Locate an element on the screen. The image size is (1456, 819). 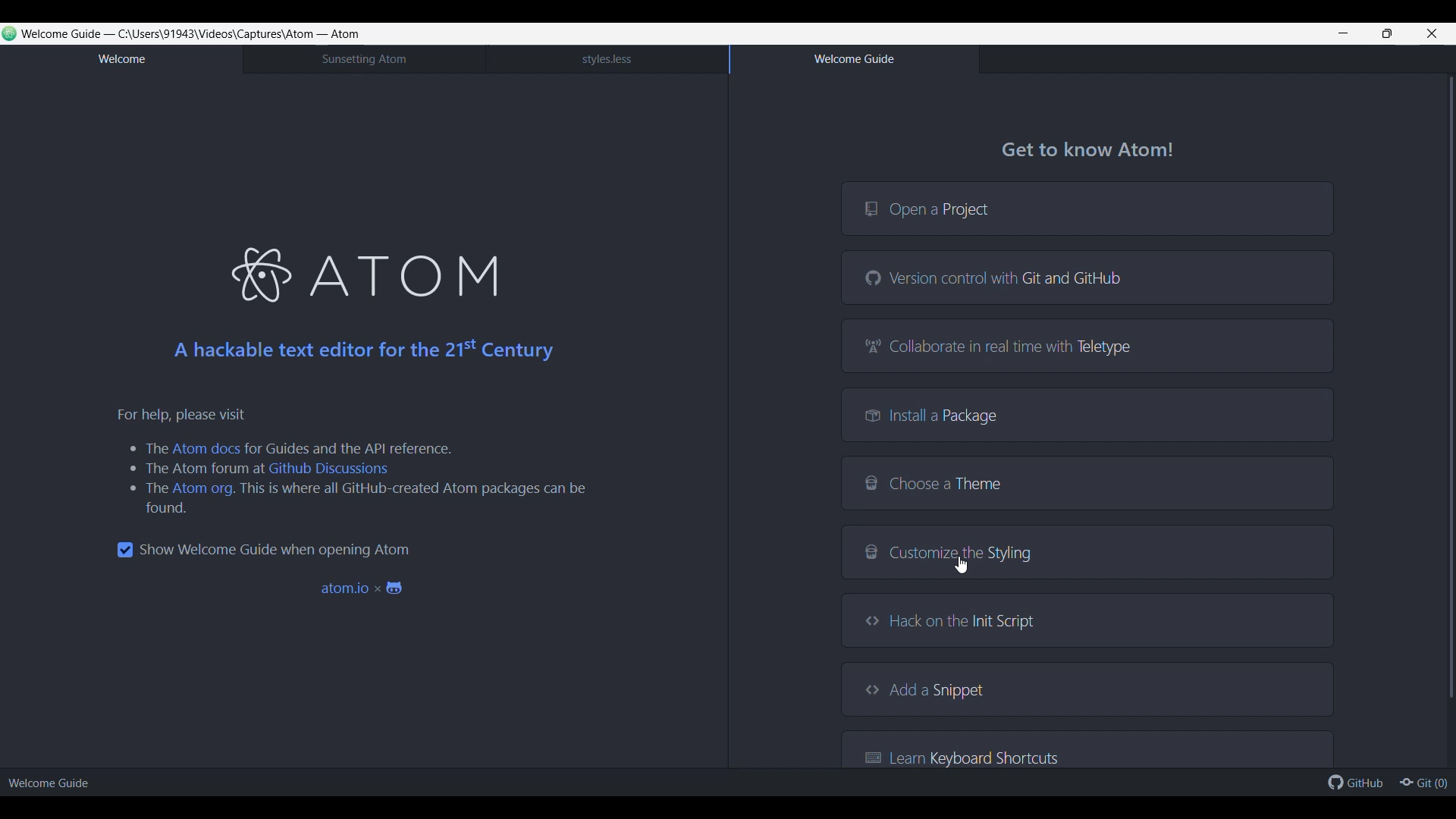
Keyboard shortcuts is located at coordinates (1087, 748).